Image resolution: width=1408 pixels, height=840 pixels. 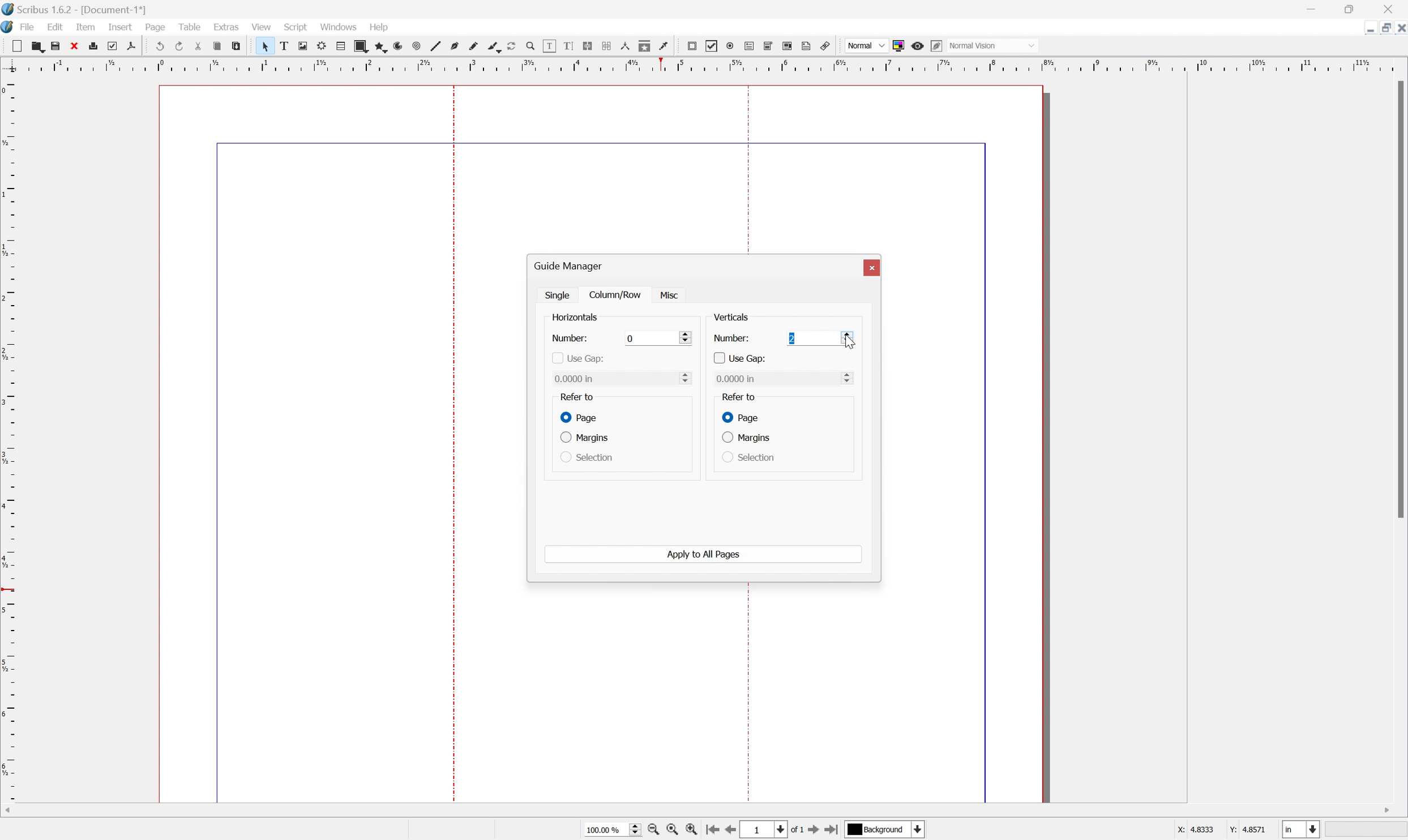 I want to click on scroll bar, so click(x=1399, y=299).